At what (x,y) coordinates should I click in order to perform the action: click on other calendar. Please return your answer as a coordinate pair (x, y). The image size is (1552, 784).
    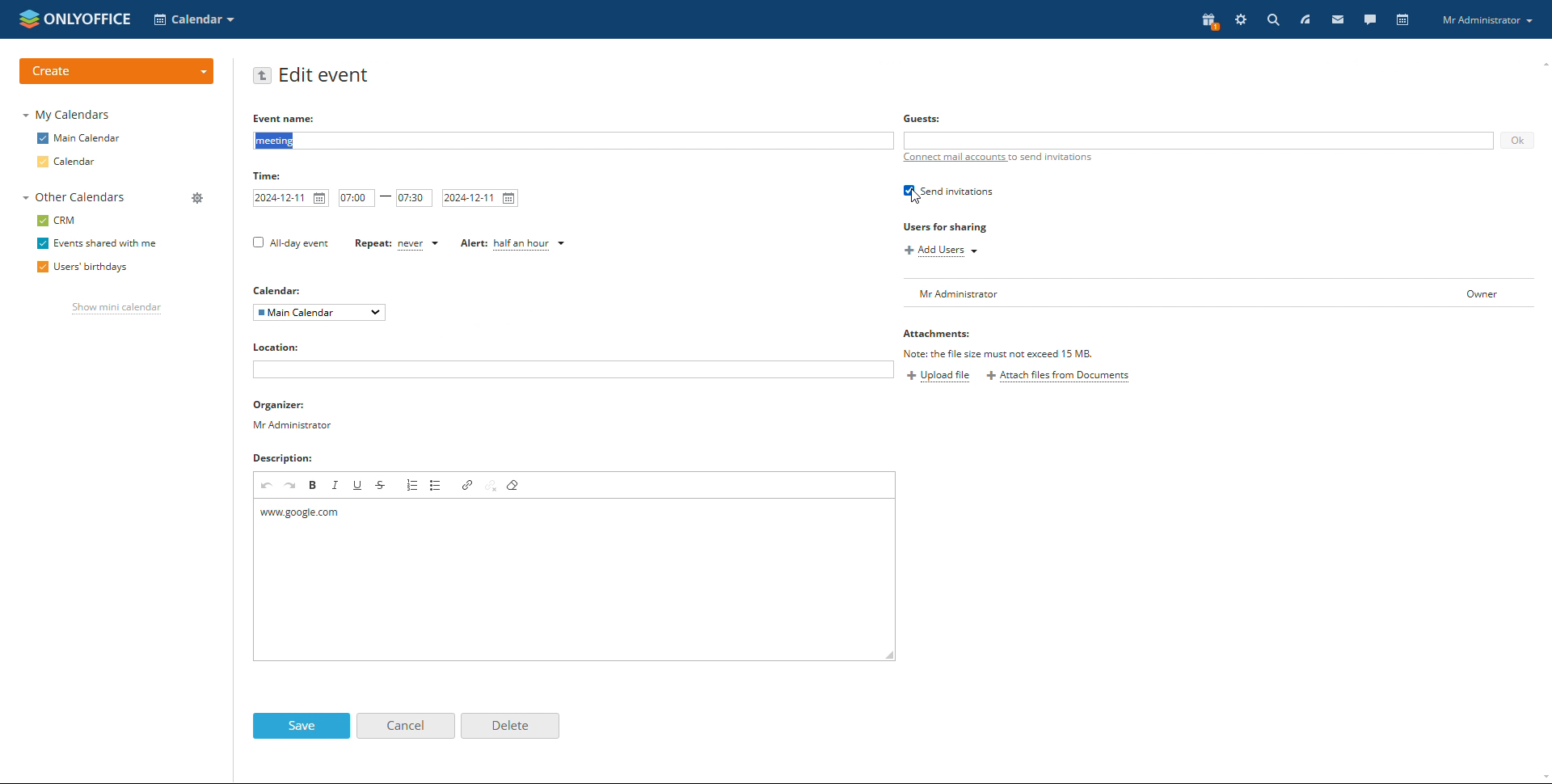
    Looking at the image, I should click on (74, 196).